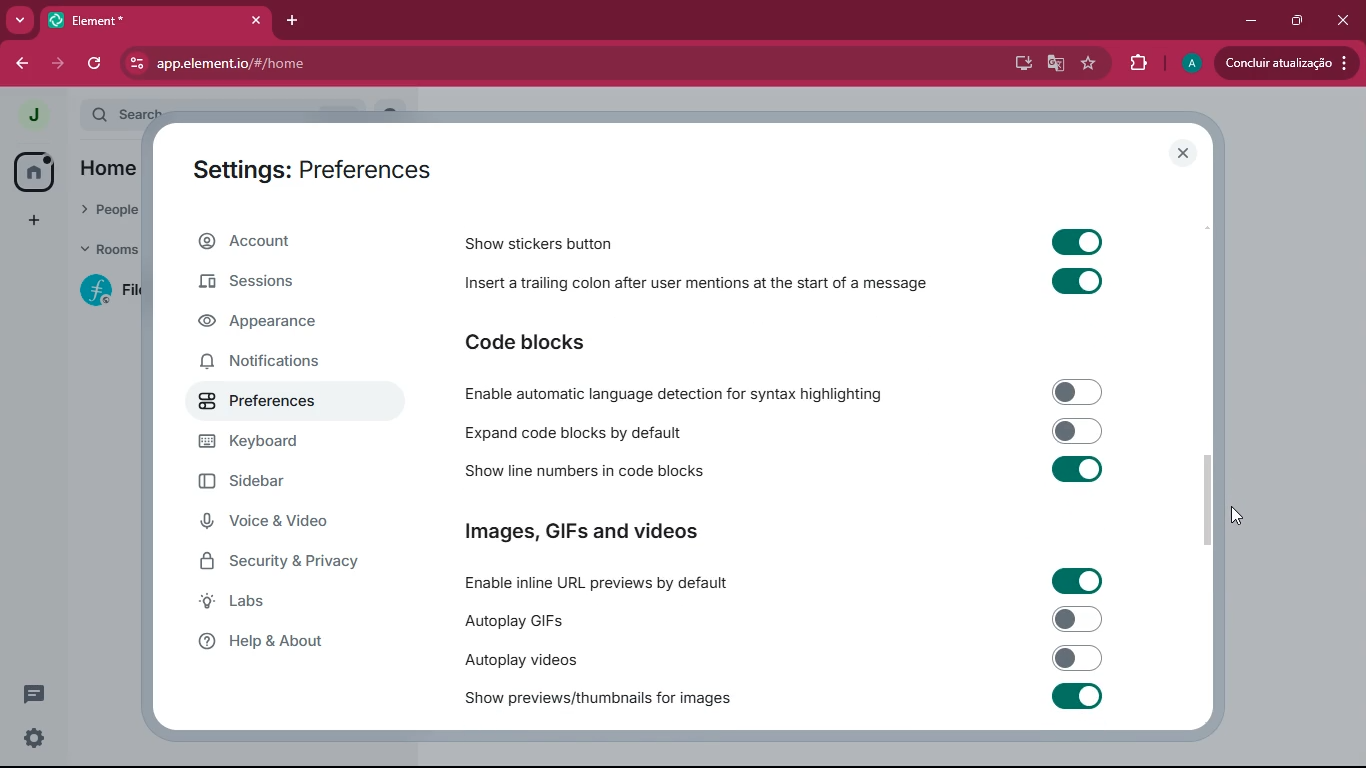 The height and width of the screenshot is (768, 1366). What do you see at coordinates (575, 432) in the screenshot?
I see `code blocks` at bounding box center [575, 432].